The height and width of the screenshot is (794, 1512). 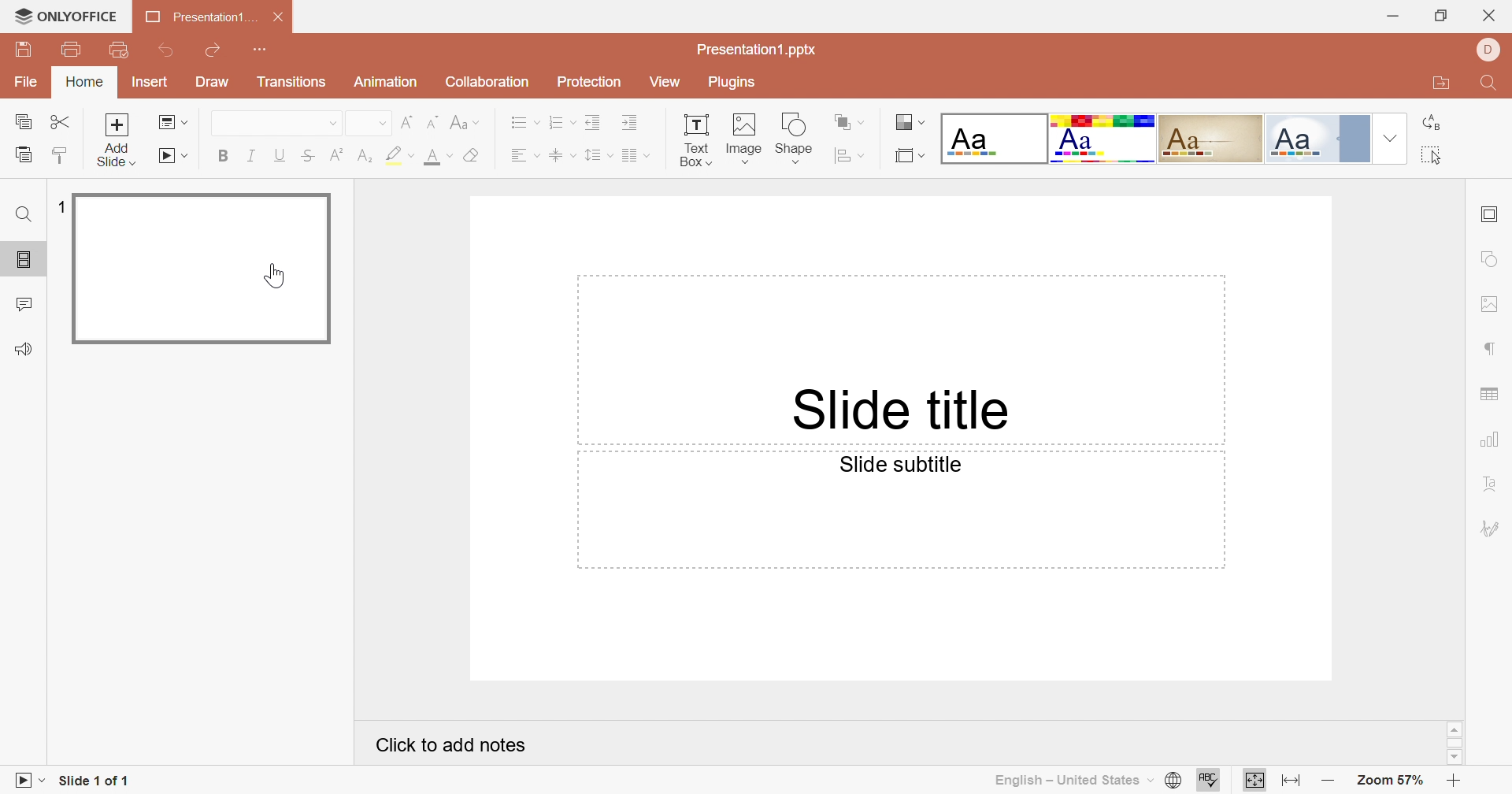 I want to click on Align Text to Middle, so click(x=557, y=157).